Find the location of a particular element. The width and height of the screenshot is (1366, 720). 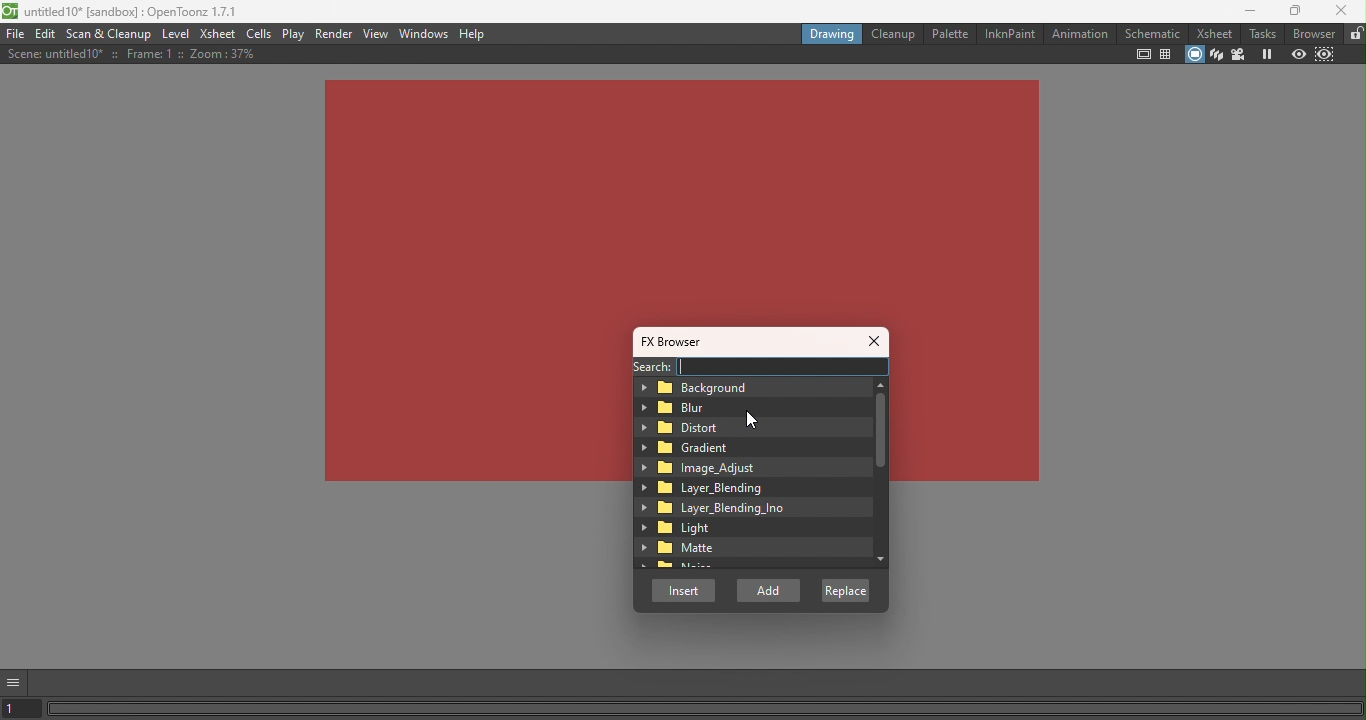

Cleanup is located at coordinates (892, 33).